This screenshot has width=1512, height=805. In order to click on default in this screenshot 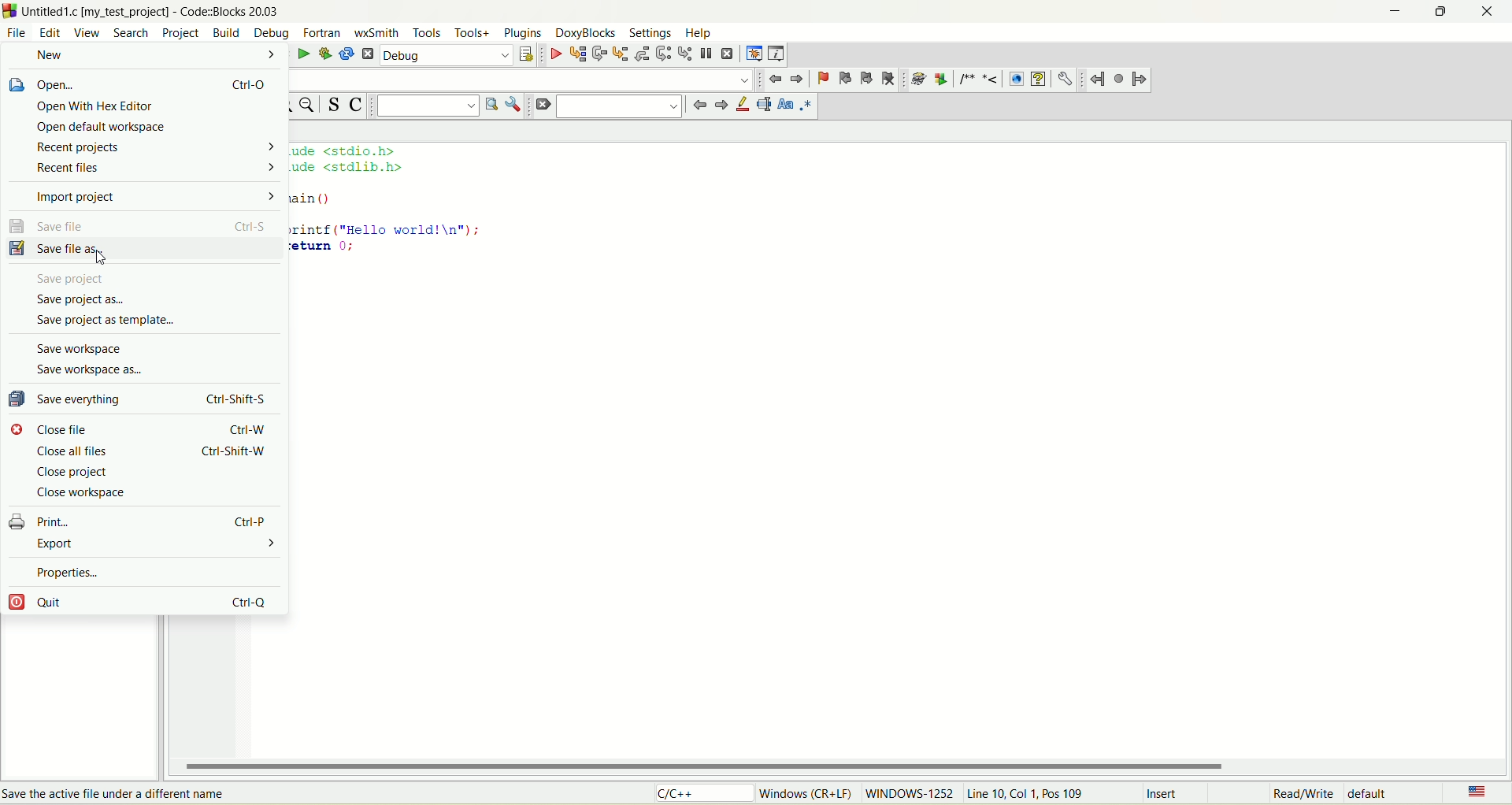, I will do `click(1373, 792)`.